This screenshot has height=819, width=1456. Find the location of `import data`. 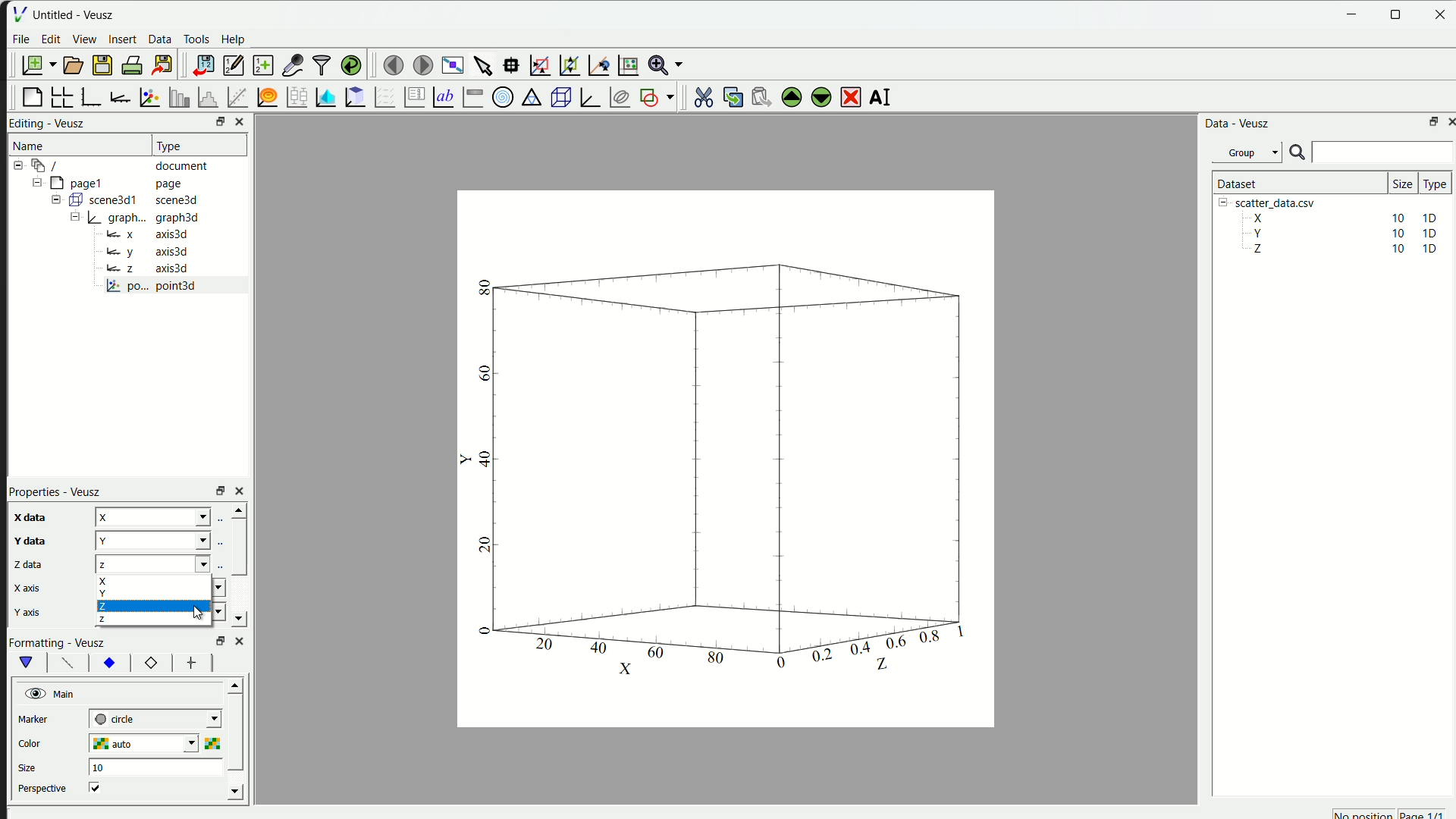

import data is located at coordinates (200, 65).